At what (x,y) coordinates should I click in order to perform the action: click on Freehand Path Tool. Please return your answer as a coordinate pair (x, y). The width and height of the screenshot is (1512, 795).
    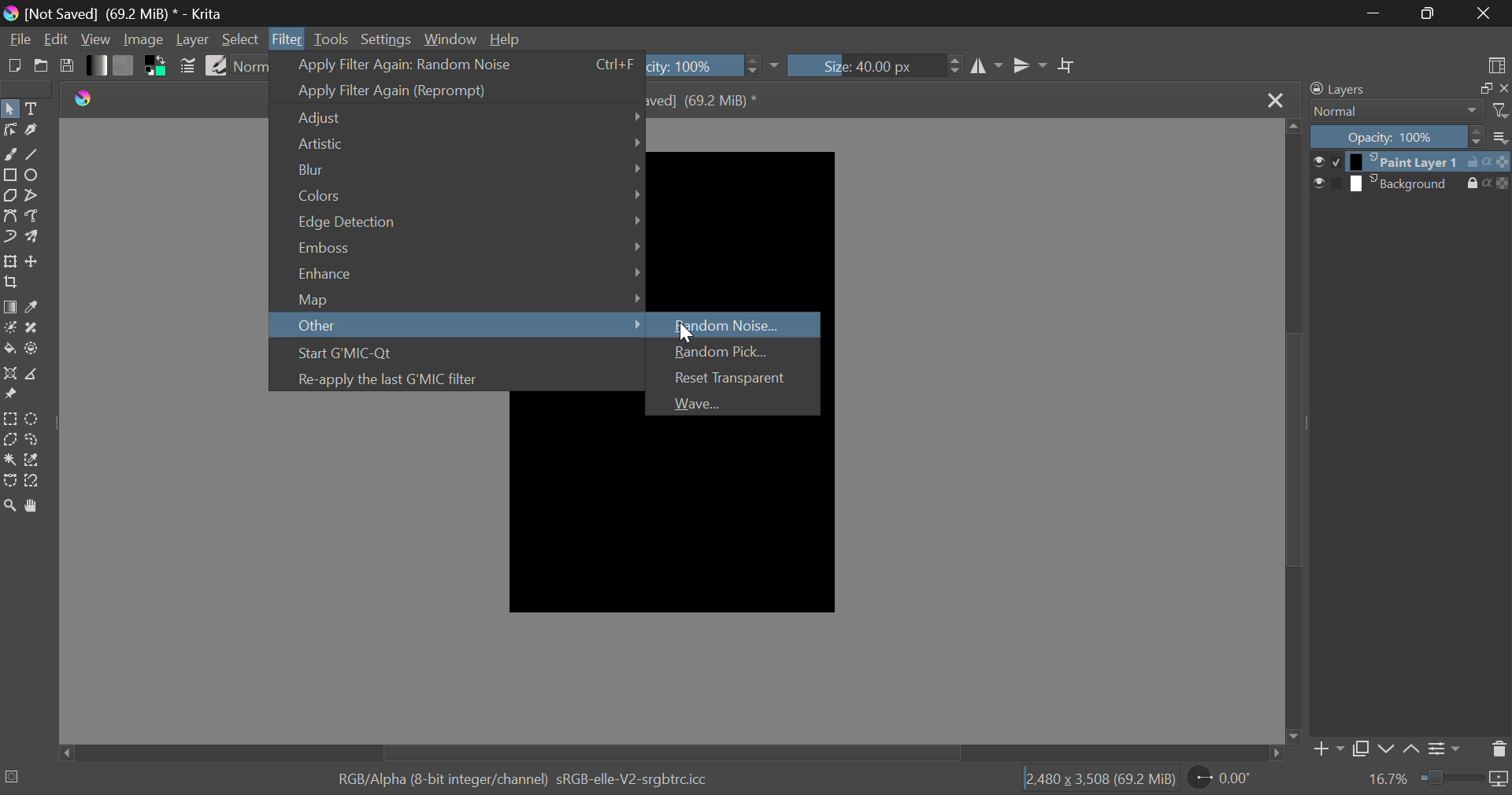
    Looking at the image, I should click on (32, 217).